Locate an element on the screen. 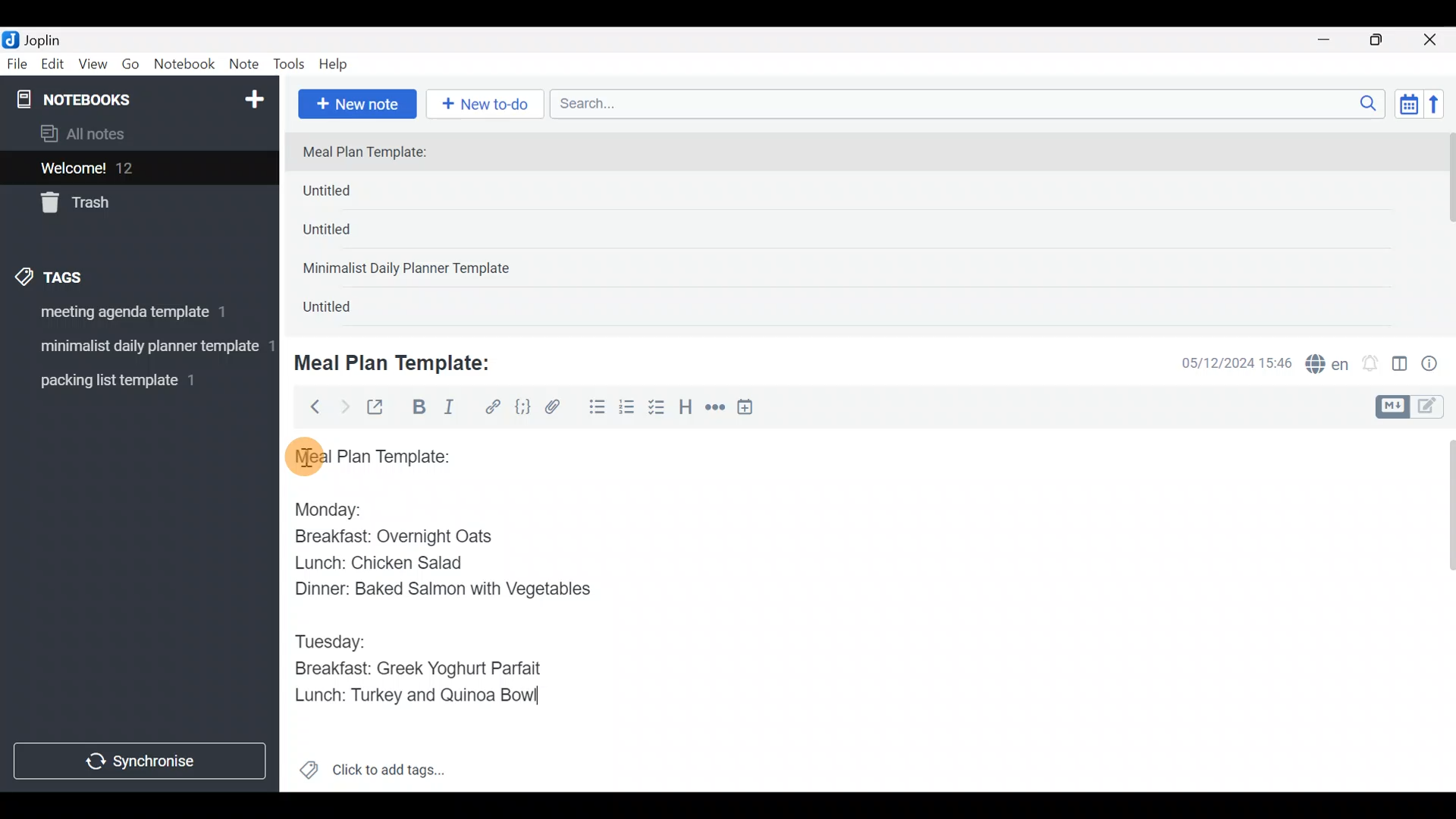 The image size is (1456, 819). Minimalist Daily Planner Template is located at coordinates (411, 270).